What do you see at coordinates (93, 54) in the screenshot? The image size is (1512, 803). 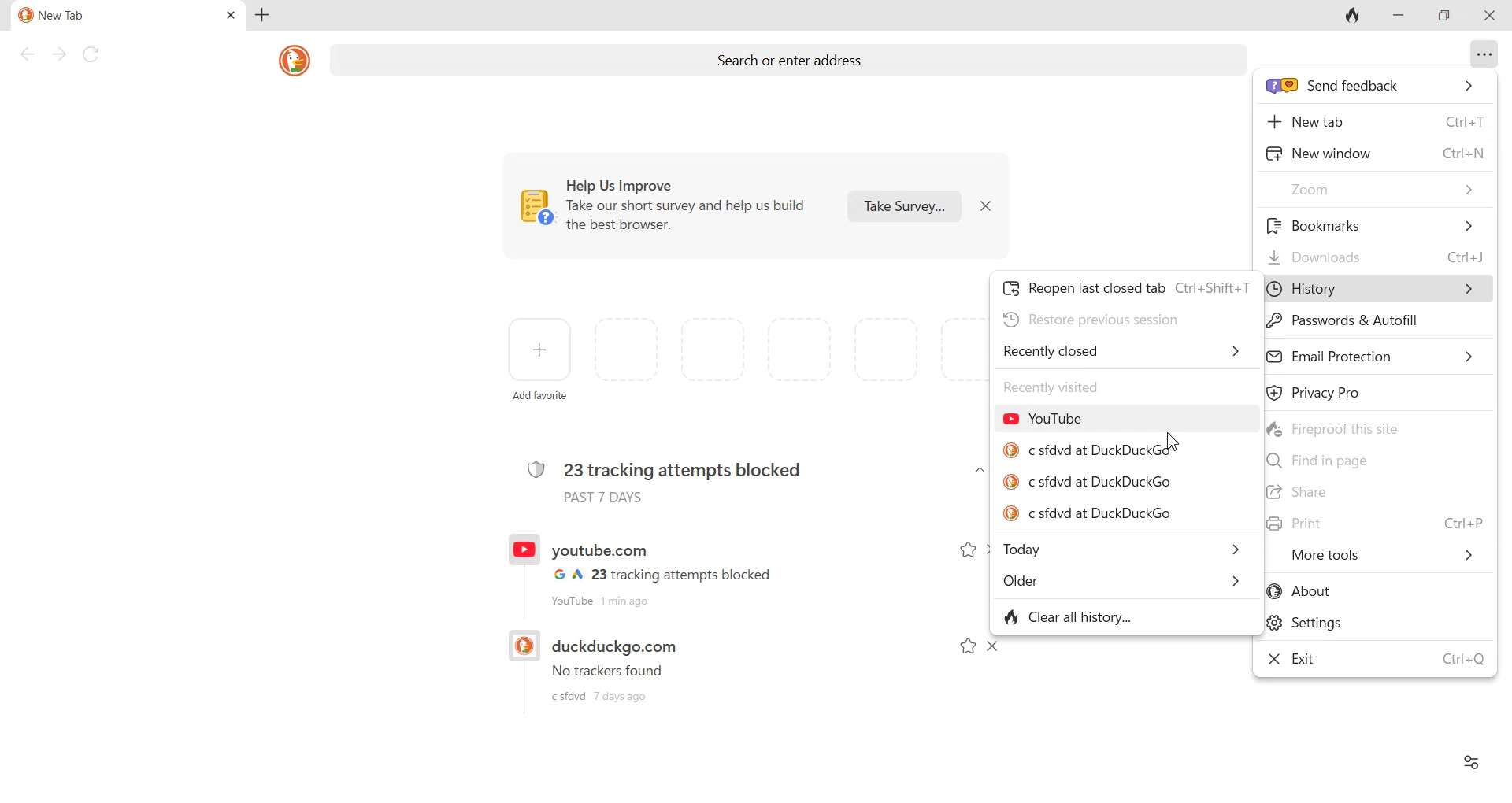 I see `Reload` at bounding box center [93, 54].